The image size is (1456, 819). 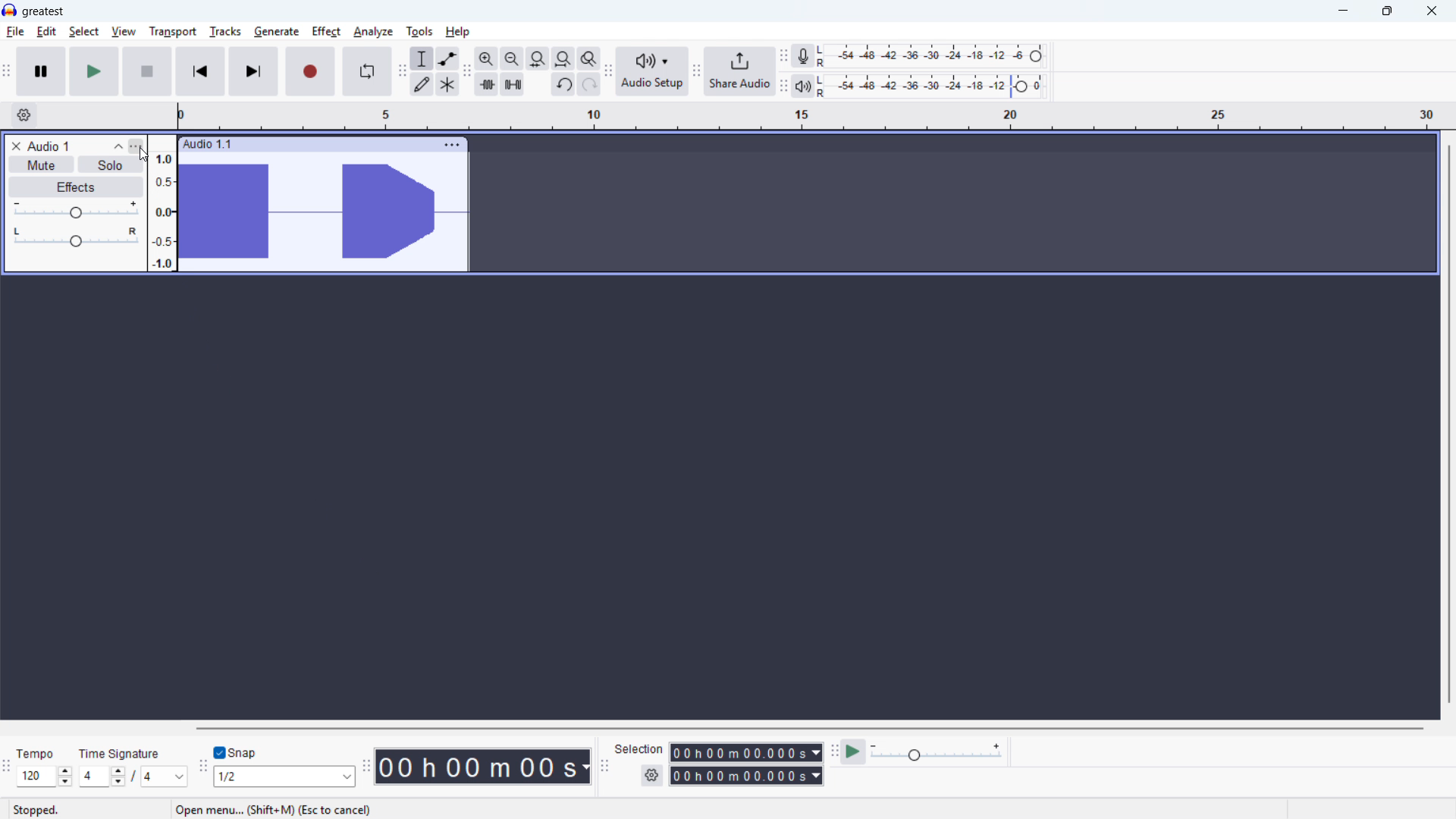 What do you see at coordinates (44, 778) in the screenshot?
I see `Set tempo ` at bounding box center [44, 778].